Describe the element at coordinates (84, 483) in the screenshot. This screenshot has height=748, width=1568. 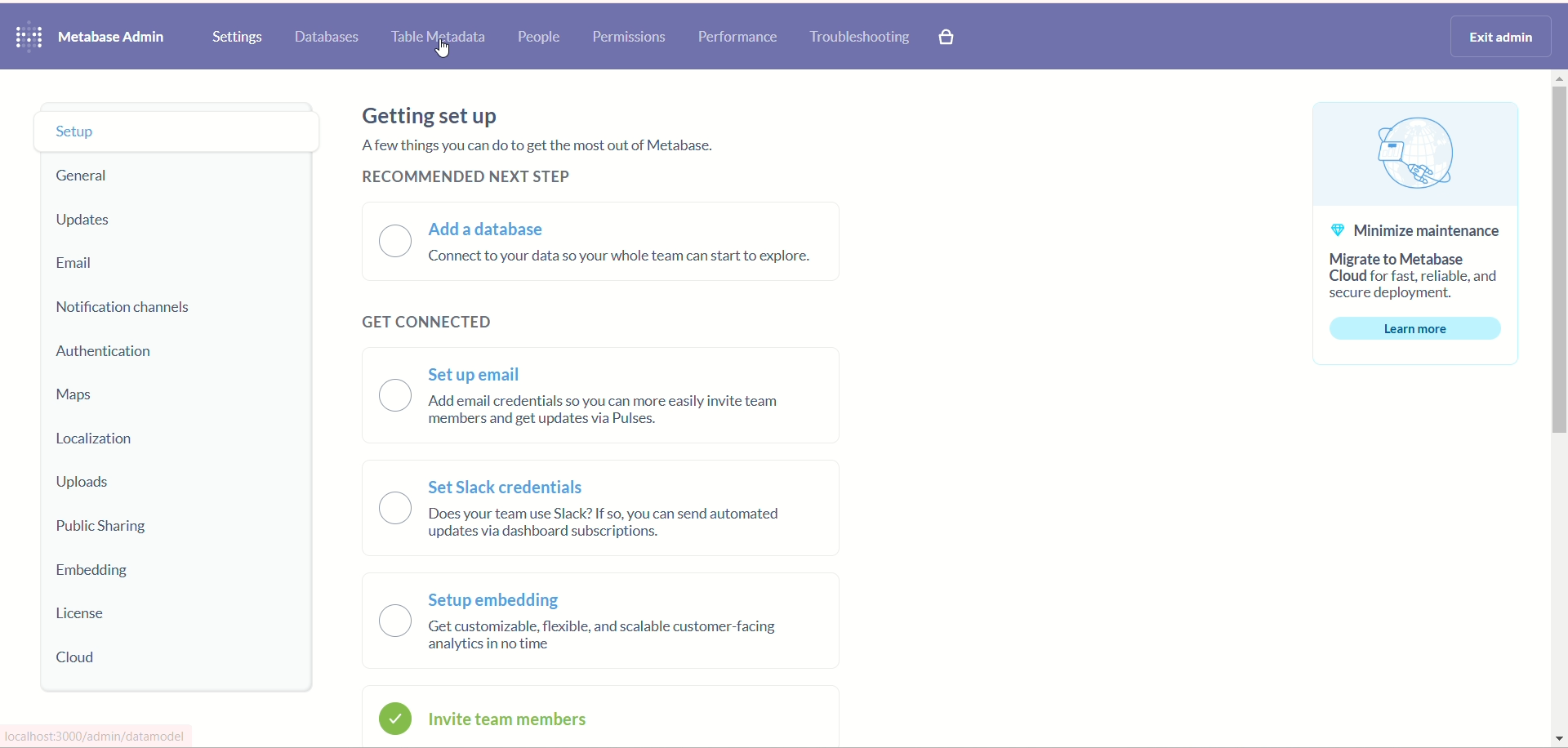
I see `uploads` at that location.